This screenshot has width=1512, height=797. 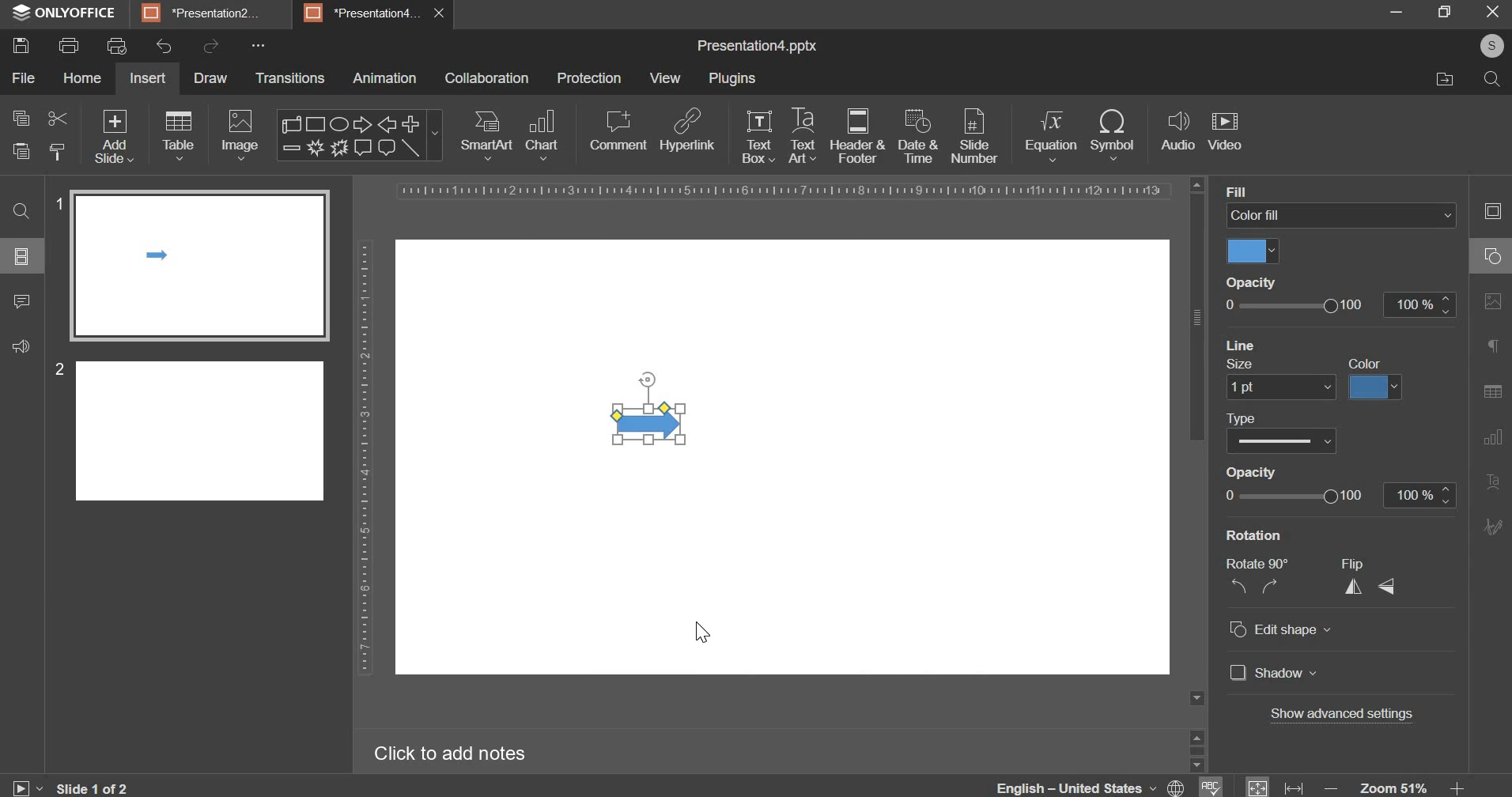 What do you see at coordinates (1259, 365) in the screenshot?
I see `reset background` at bounding box center [1259, 365].